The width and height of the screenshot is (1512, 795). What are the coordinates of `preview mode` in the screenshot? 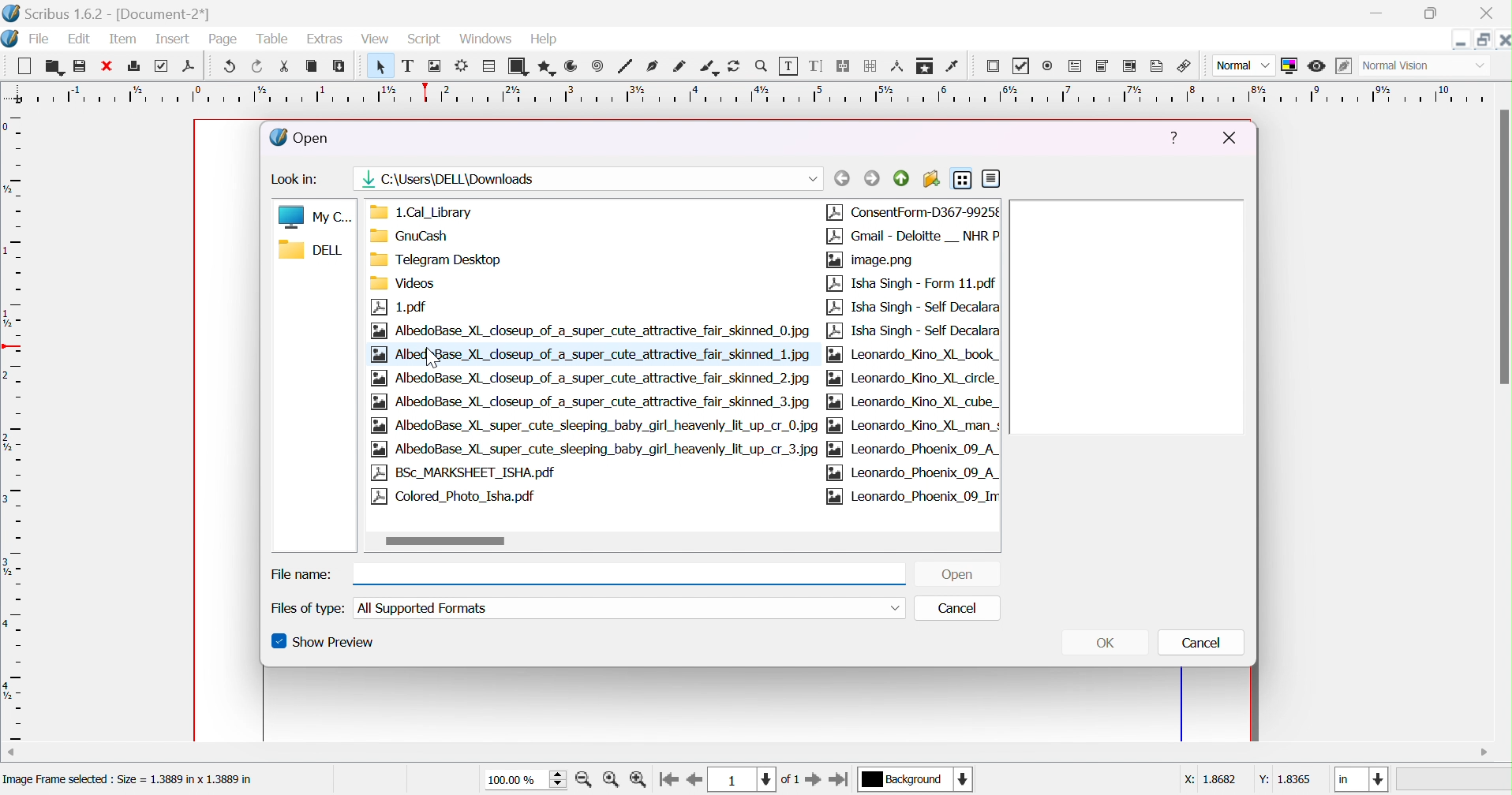 It's located at (1319, 66).